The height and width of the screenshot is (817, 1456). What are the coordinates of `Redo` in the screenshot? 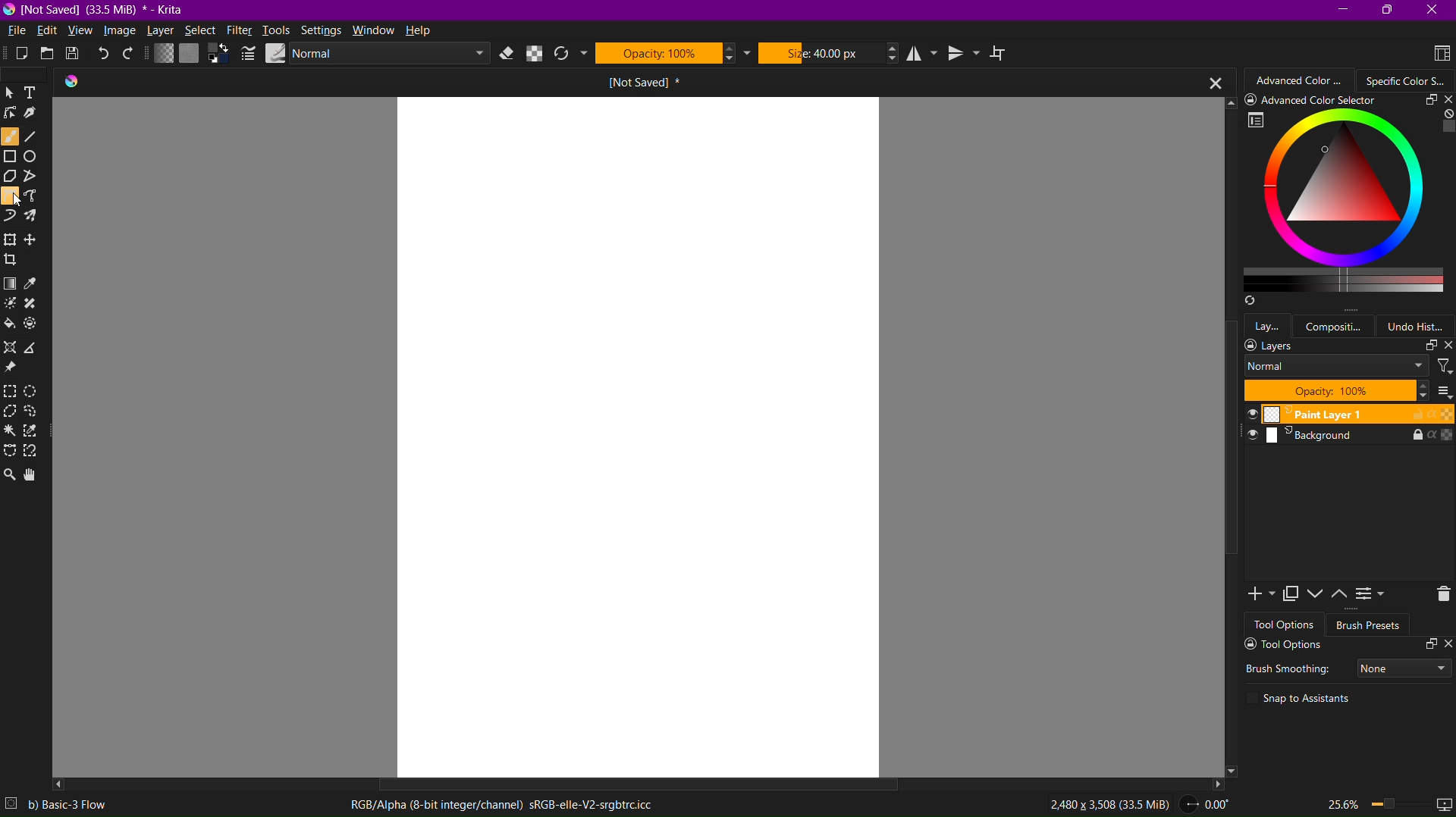 It's located at (130, 55).